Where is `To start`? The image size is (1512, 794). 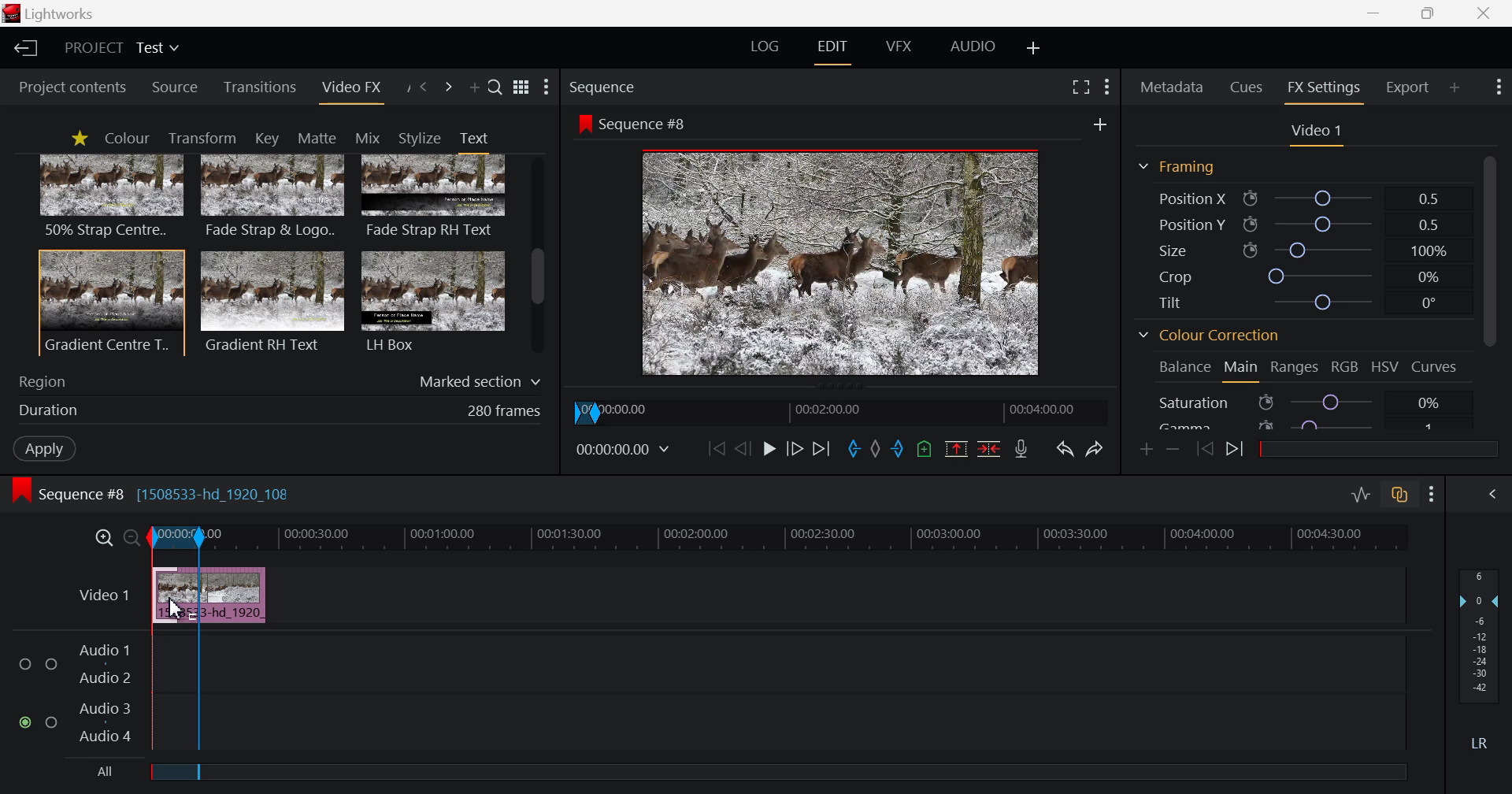 To start is located at coordinates (714, 451).